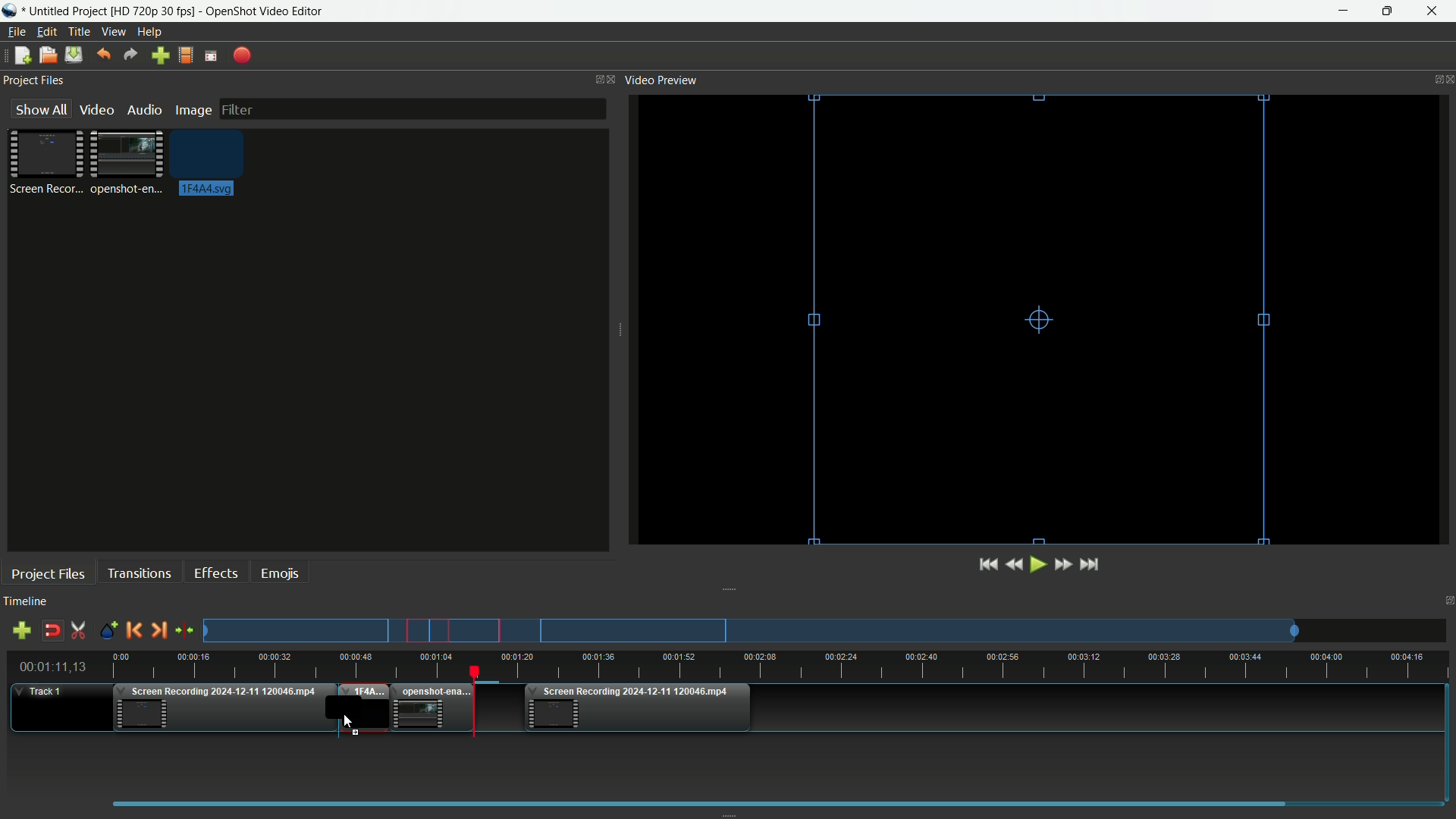  Describe the element at coordinates (44, 32) in the screenshot. I see `Edit menu` at that location.